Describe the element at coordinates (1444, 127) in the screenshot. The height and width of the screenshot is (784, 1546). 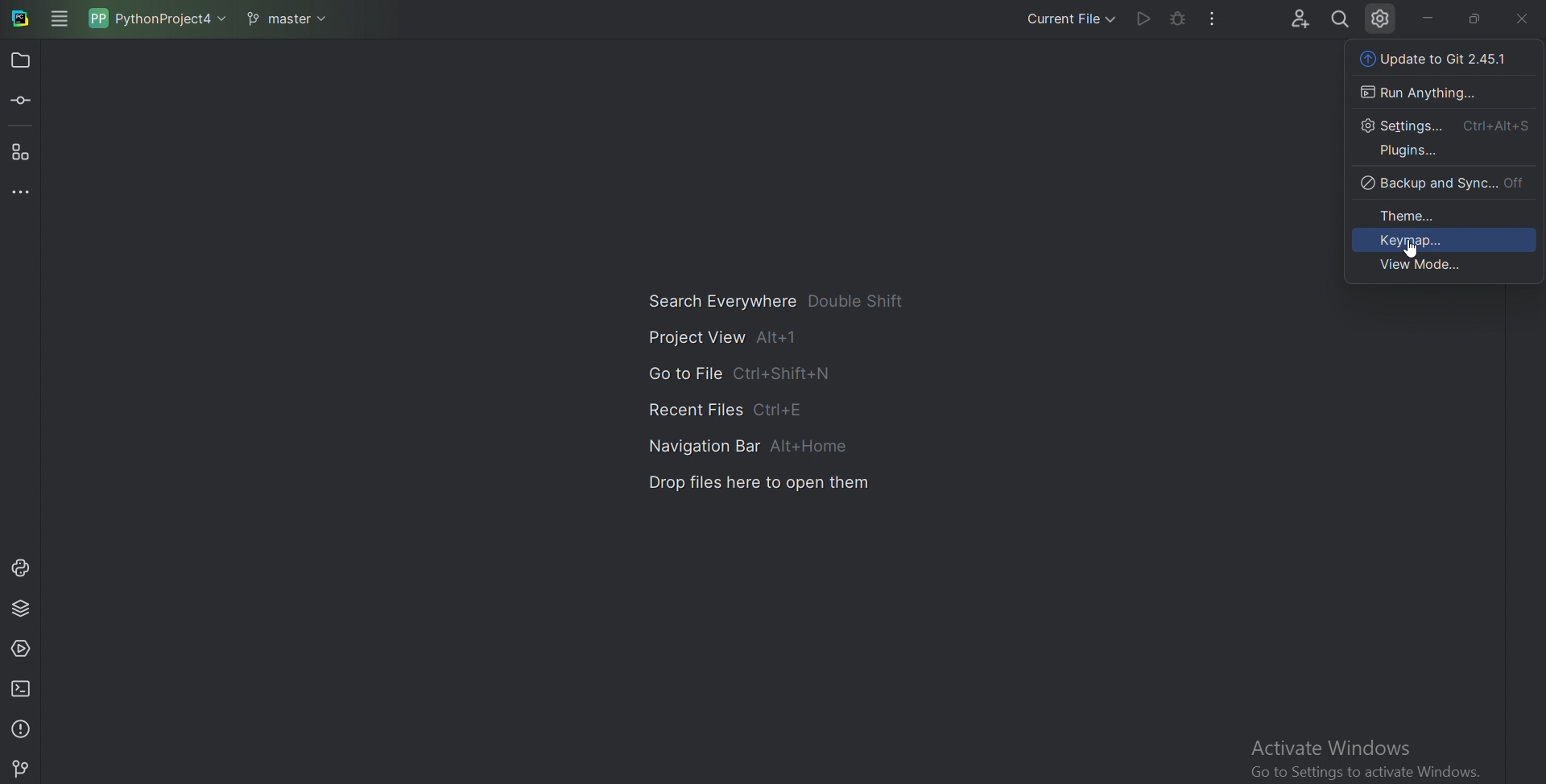
I see `Settings` at that location.